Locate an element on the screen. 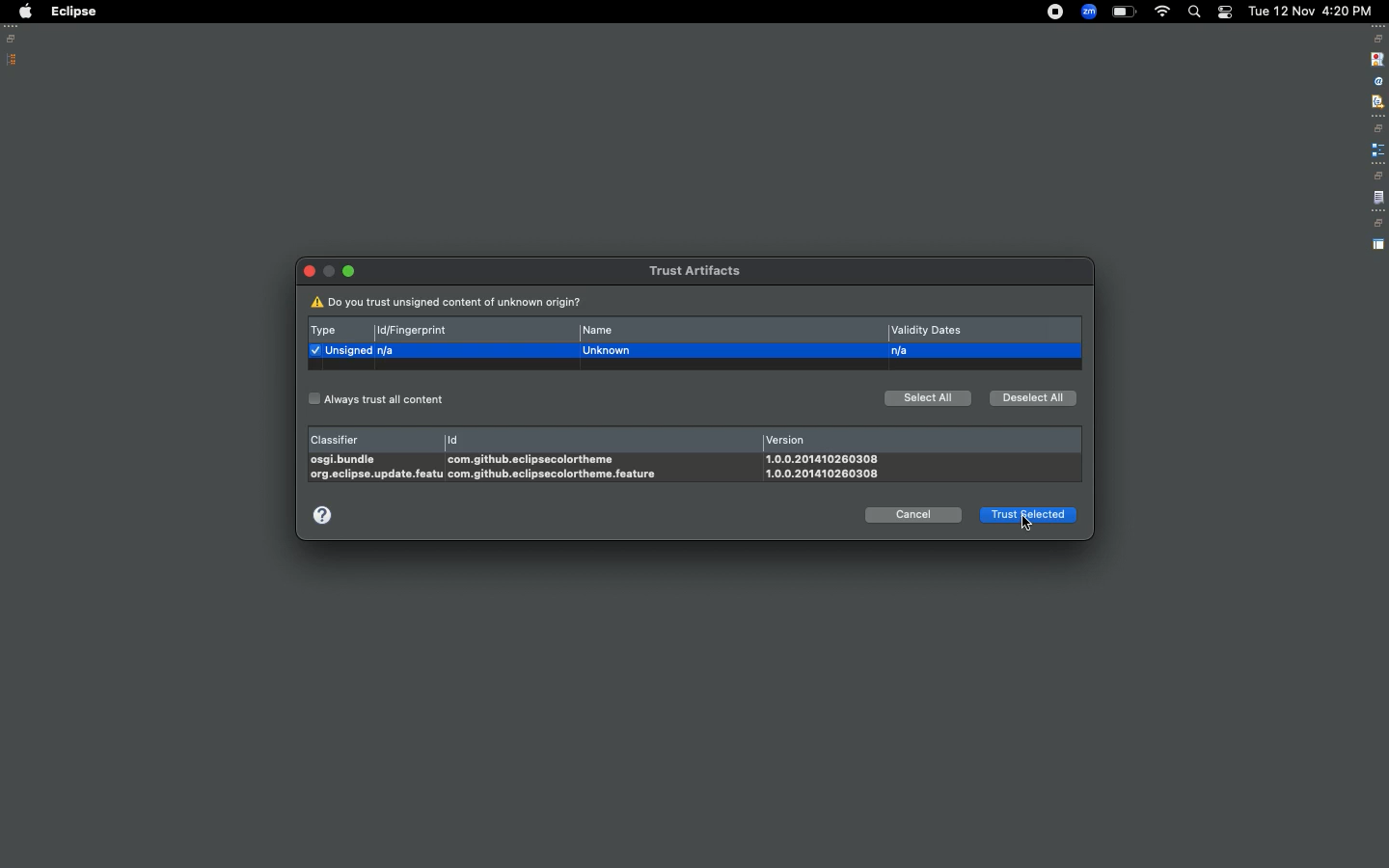  Name is located at coordinates (610, 331).